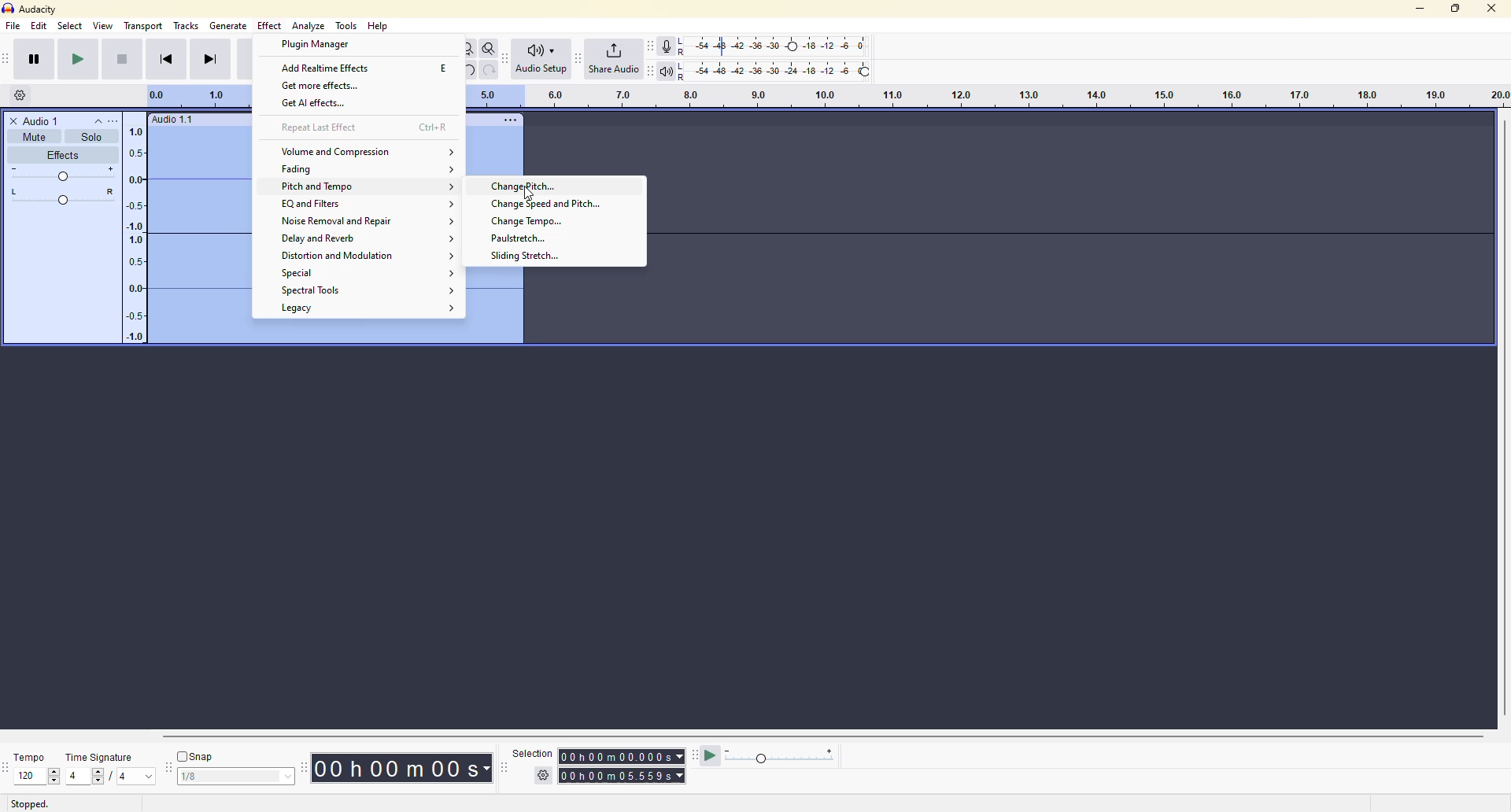 Image resolution: width=1511 pixels, height=812 pixels. I want to click on change speed and pitch, so click(545, 204).